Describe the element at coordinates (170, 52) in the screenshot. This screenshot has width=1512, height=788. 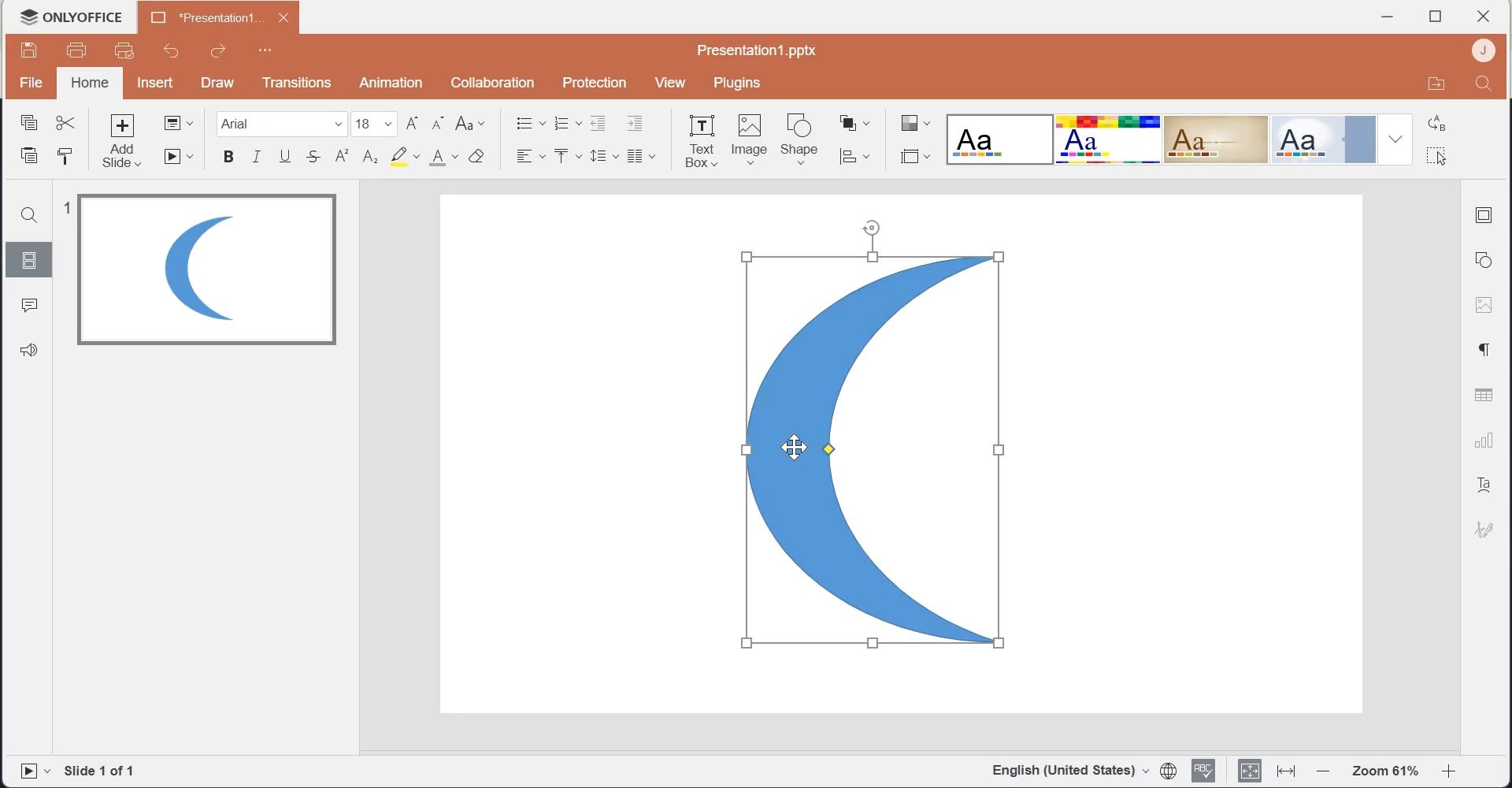
I see `Undo` at that location.